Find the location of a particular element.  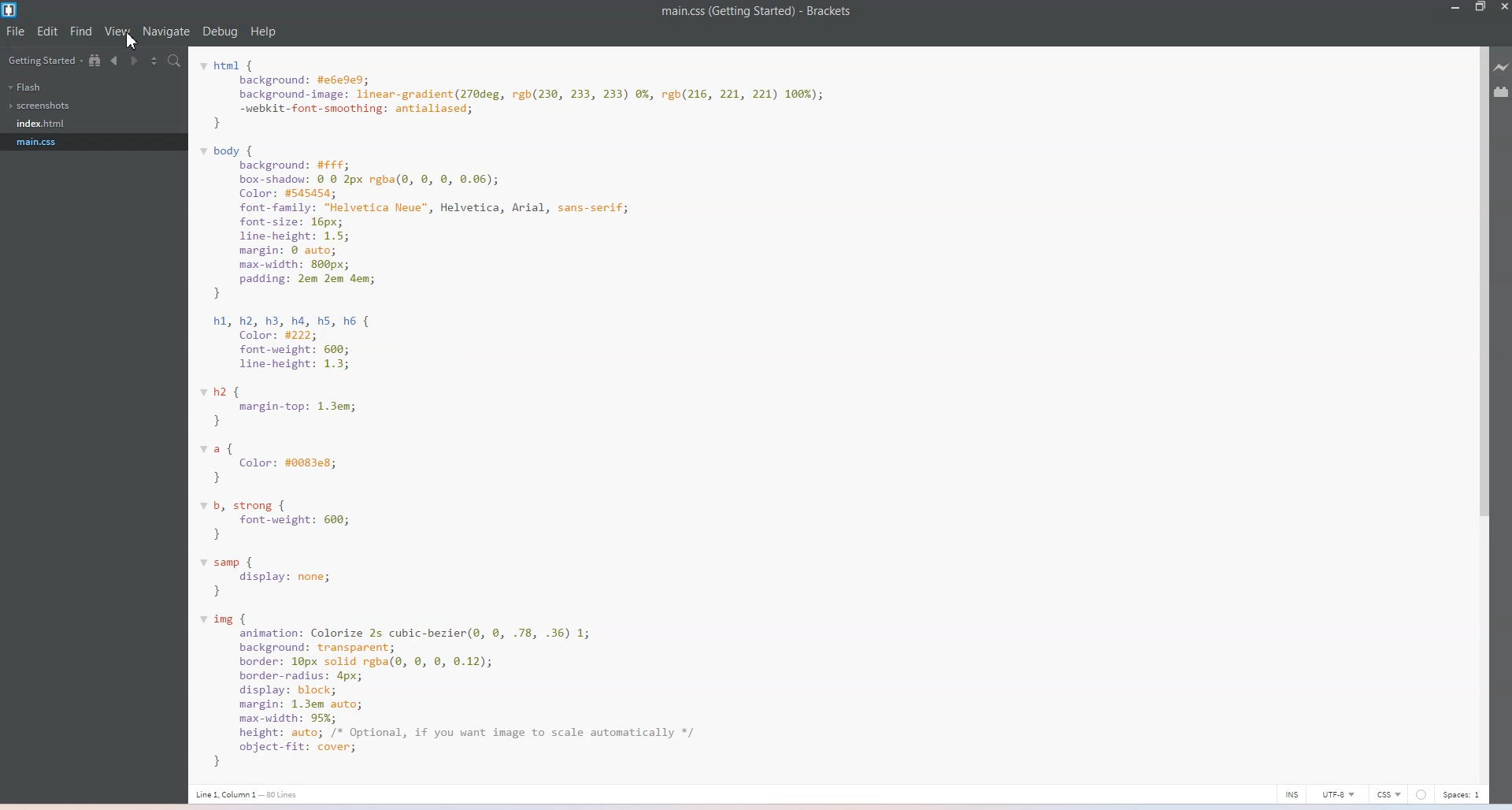

Live preview is located at coordinates (1503, 66).